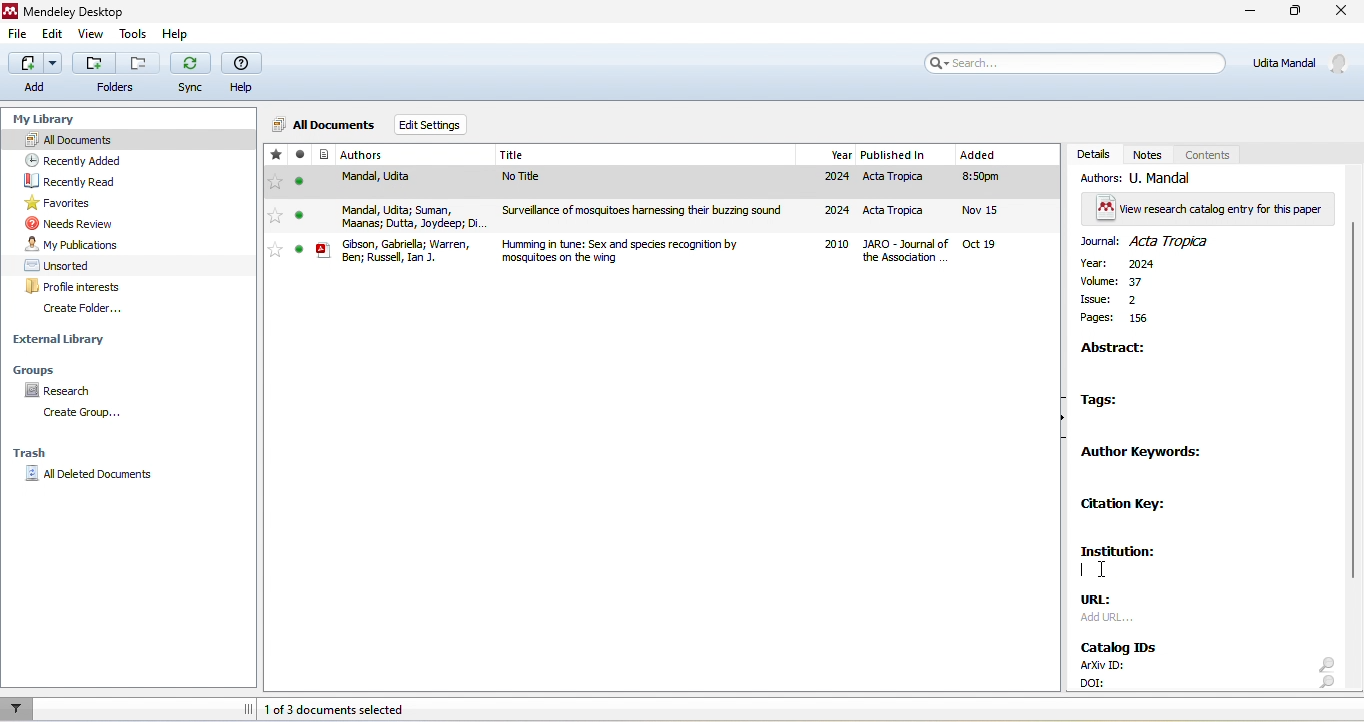 This screenshot has height=722, width=1364. I want to click on profile interests, so click(82, 287).